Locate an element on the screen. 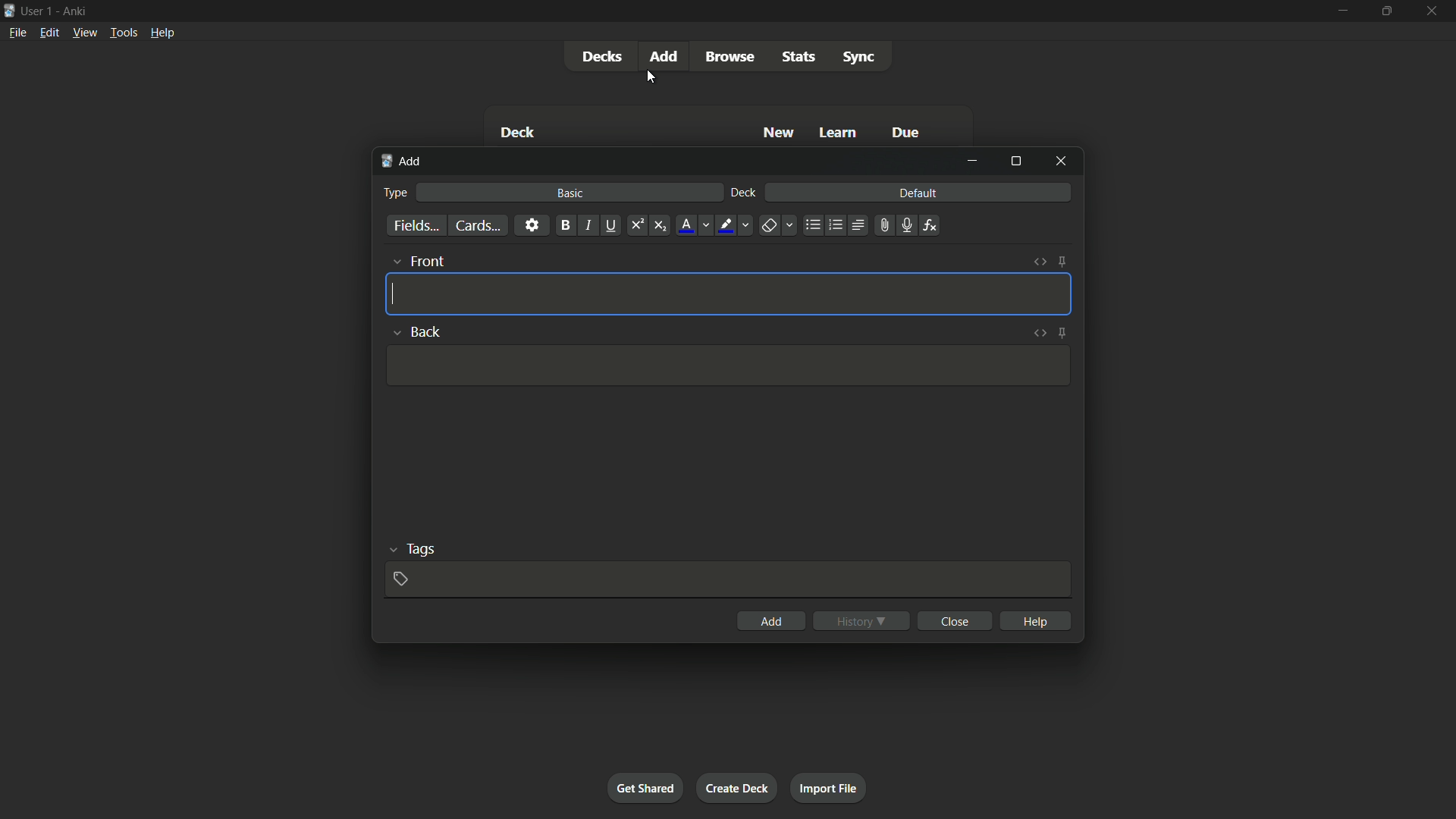 The height and width of the screenshot is (819, 1456). cursor is located at coordinates (391, 294).